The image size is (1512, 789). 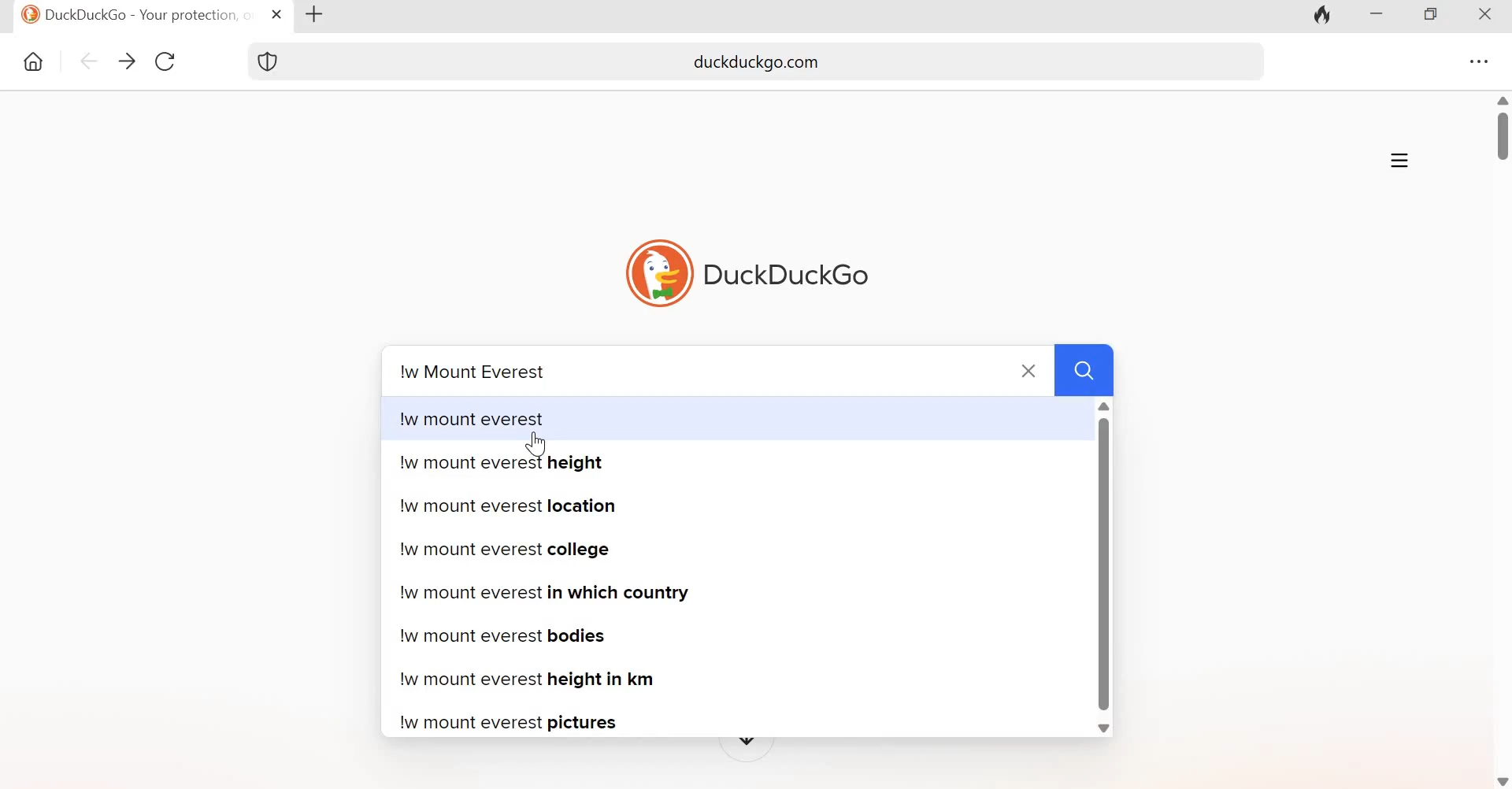 What do you see at coordinates (1085, 369) in the screenshot?
I see `Search` at bounding box center [1085, 369].